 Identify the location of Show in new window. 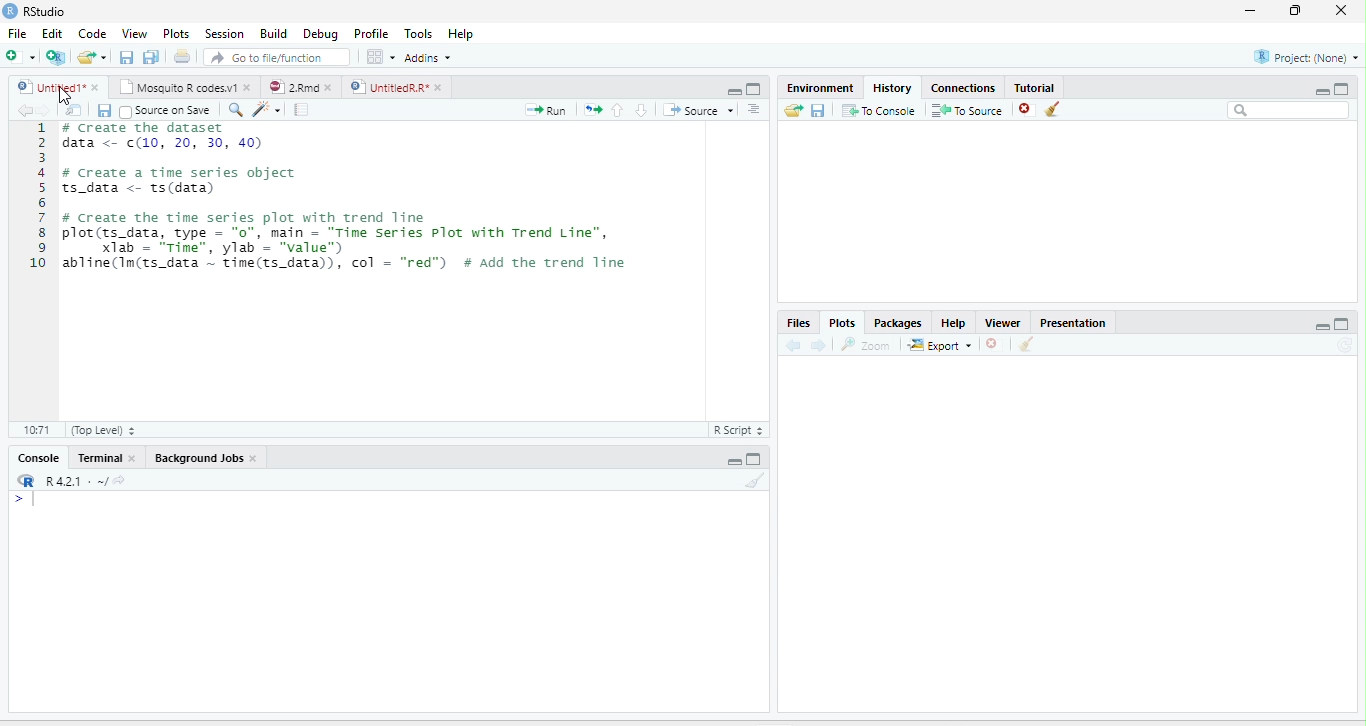
(74, 109).